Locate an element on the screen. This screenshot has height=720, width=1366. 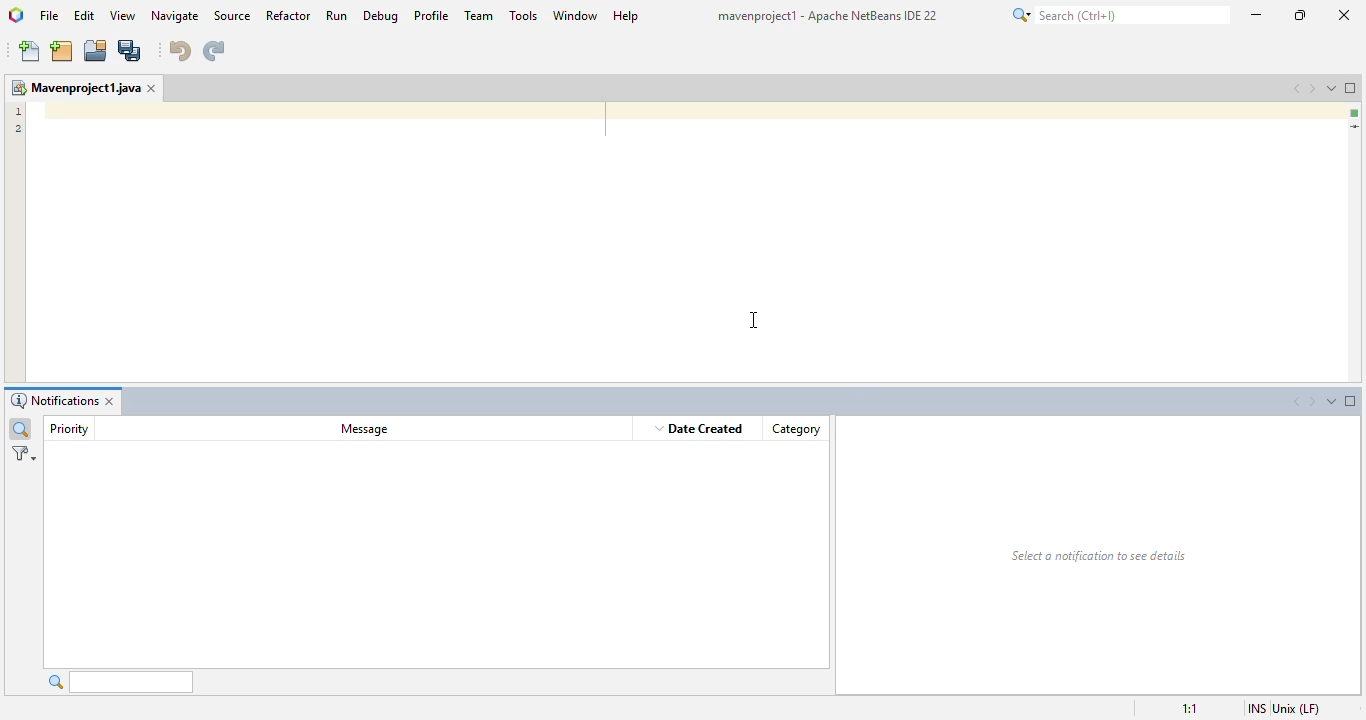
cursor is located at coordinates (754, 320).